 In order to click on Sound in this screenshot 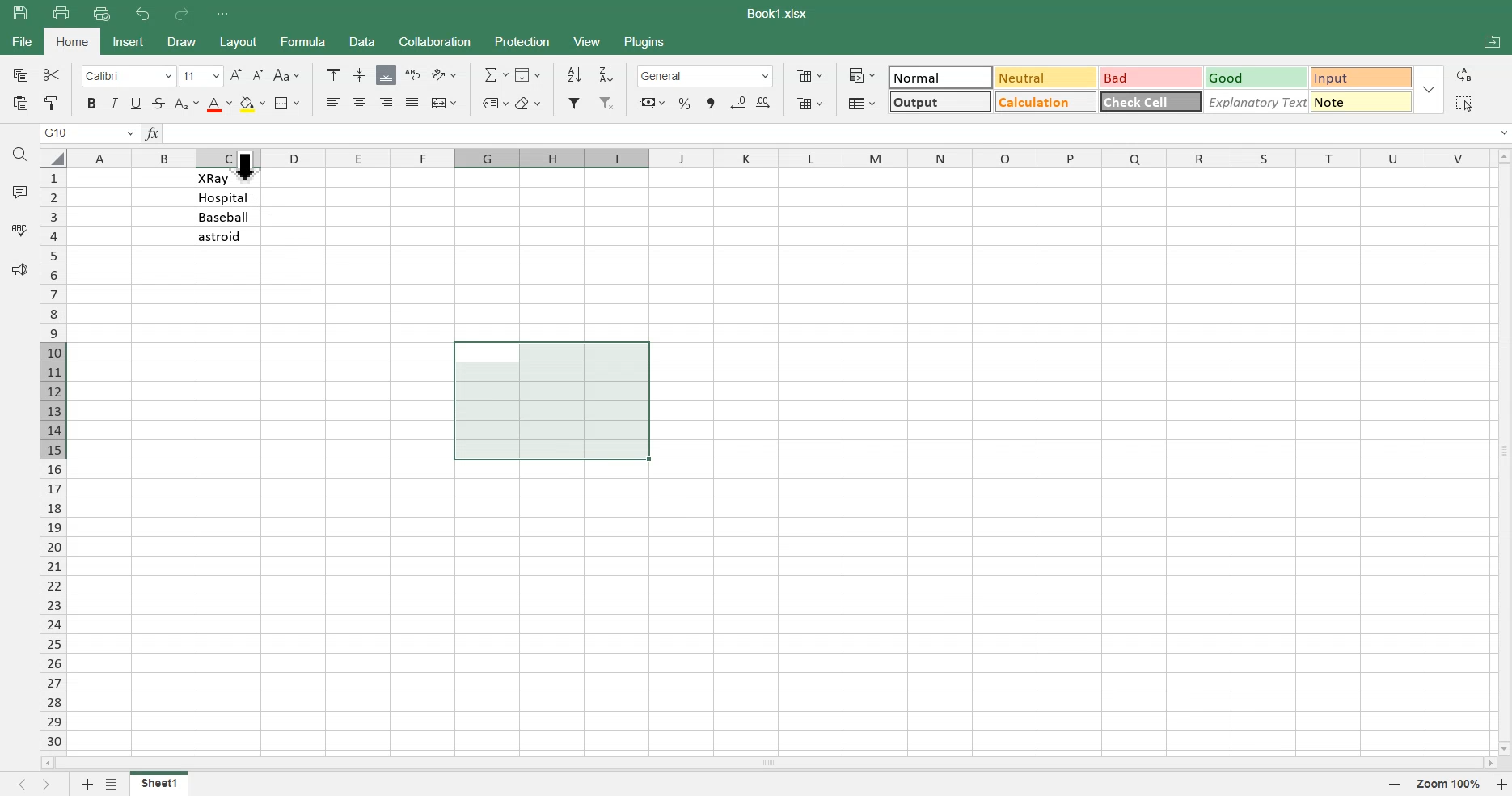, I will do `click(19, 269)`.